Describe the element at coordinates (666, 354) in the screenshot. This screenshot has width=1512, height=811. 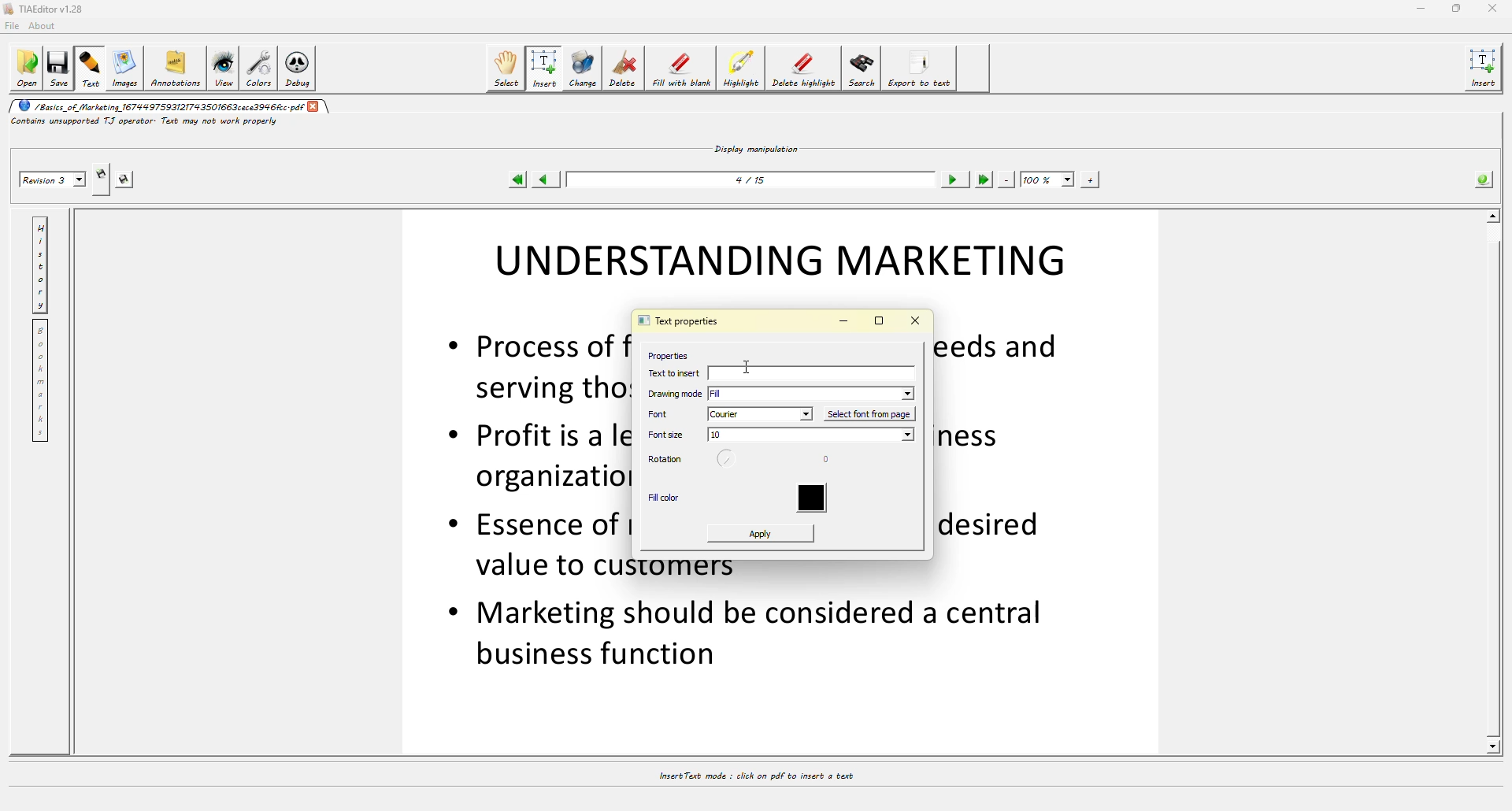
I see `properties` at that location.